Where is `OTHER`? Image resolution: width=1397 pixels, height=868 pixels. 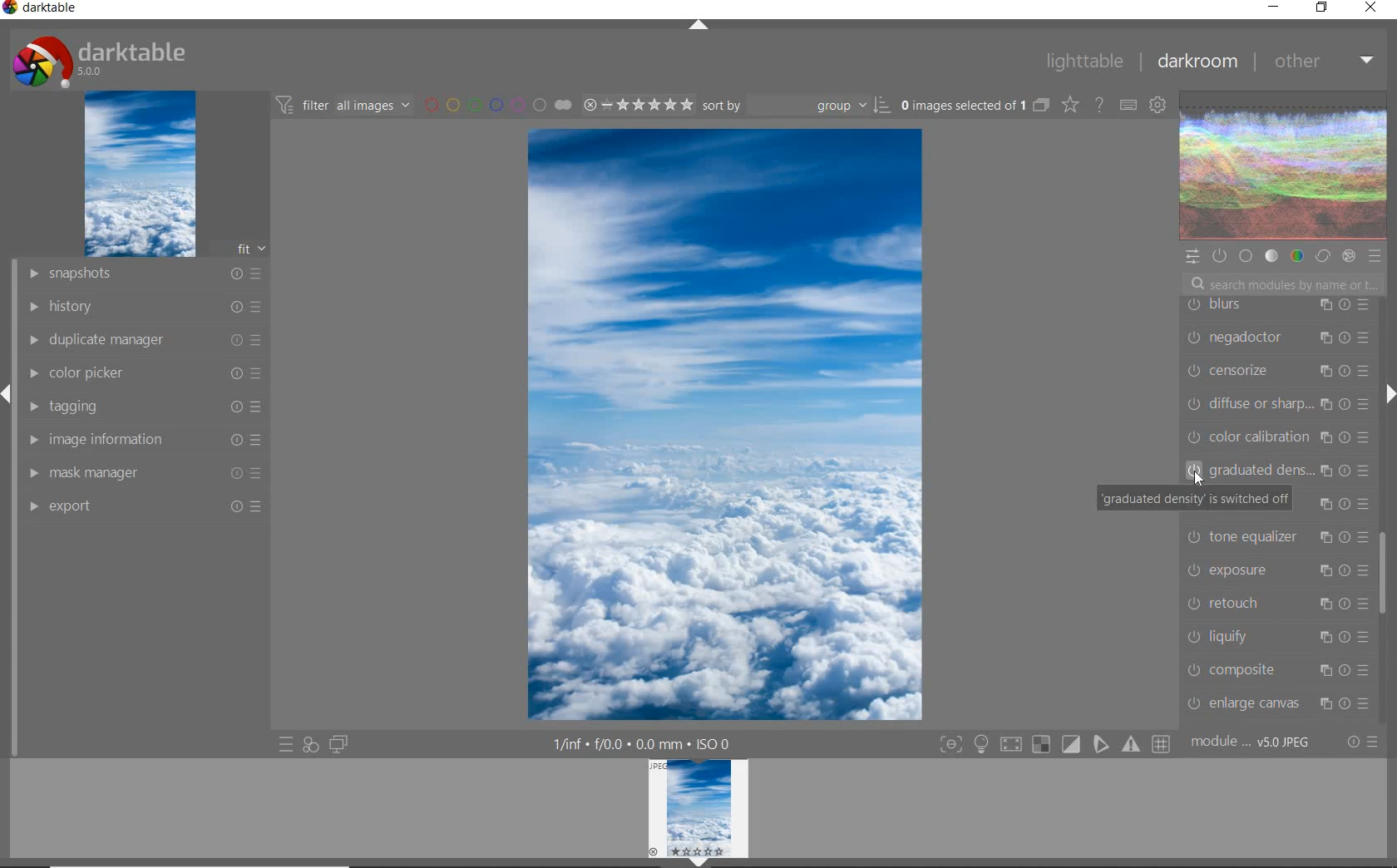
OTHER is located at coordinates (1321, 63).